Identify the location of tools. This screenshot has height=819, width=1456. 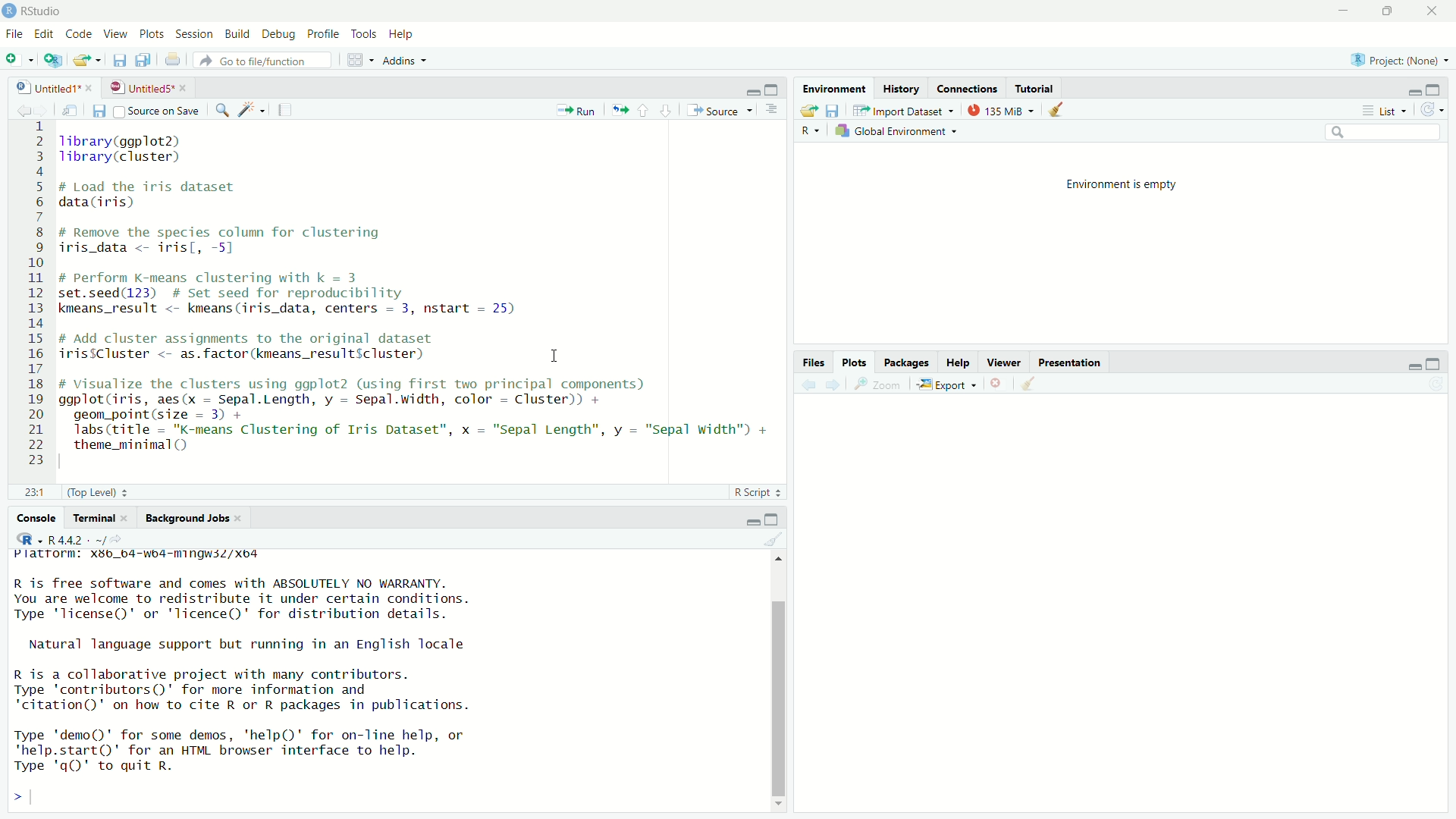
(366, 33).